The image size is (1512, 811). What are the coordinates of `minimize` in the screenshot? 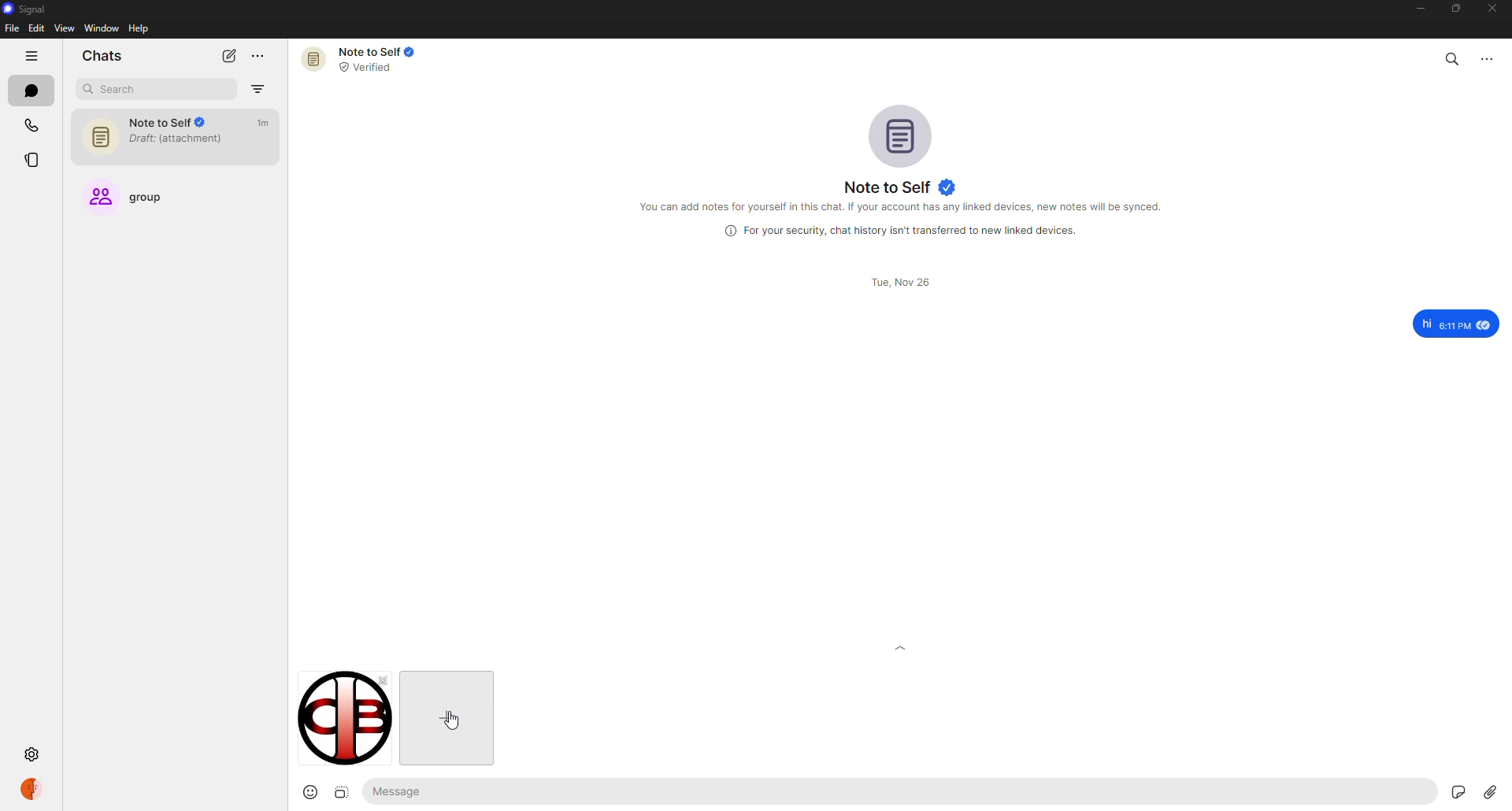 It's located at (1414, 9).